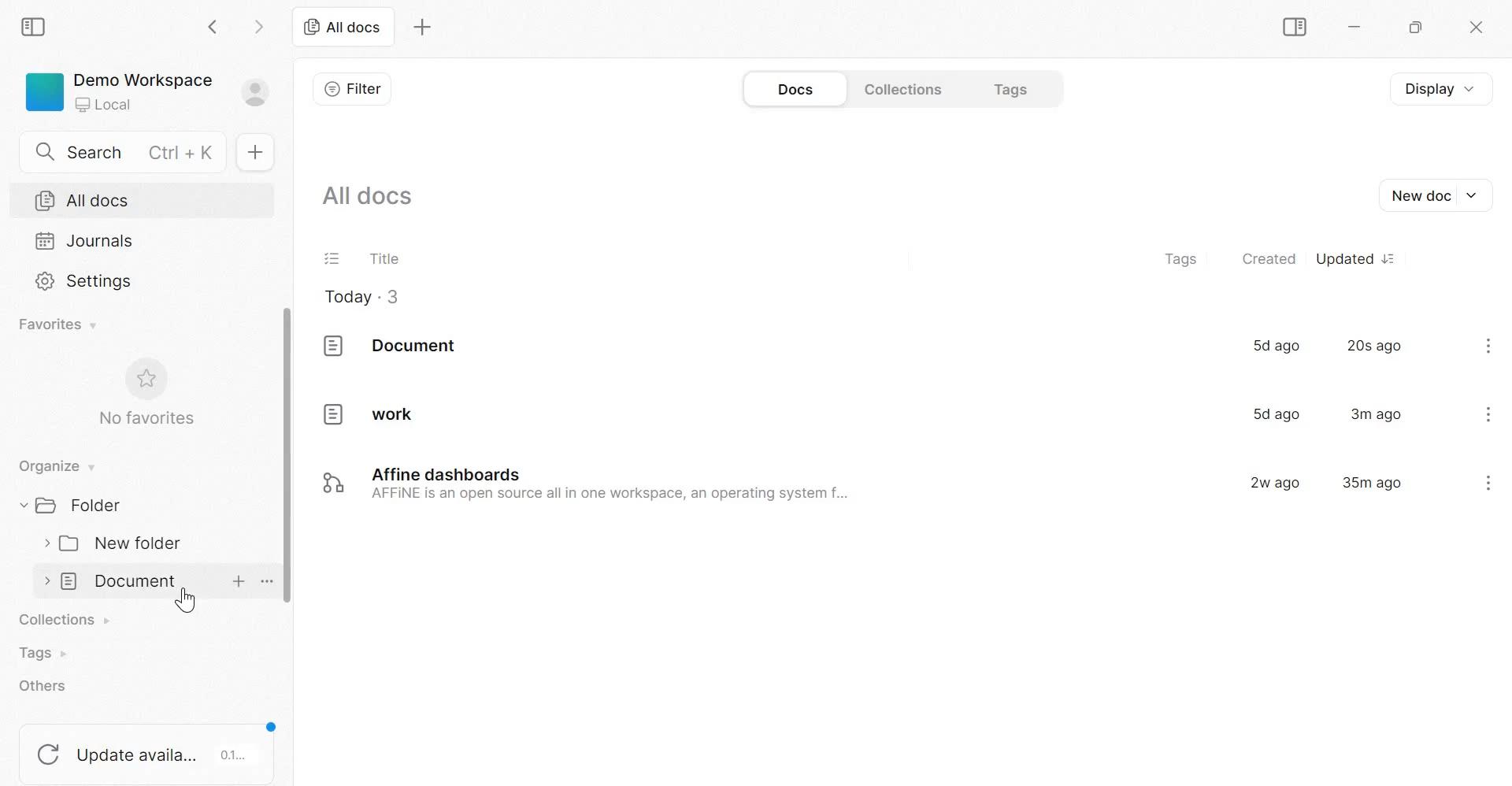  I want to click on scrollbar, so click(288, 459).